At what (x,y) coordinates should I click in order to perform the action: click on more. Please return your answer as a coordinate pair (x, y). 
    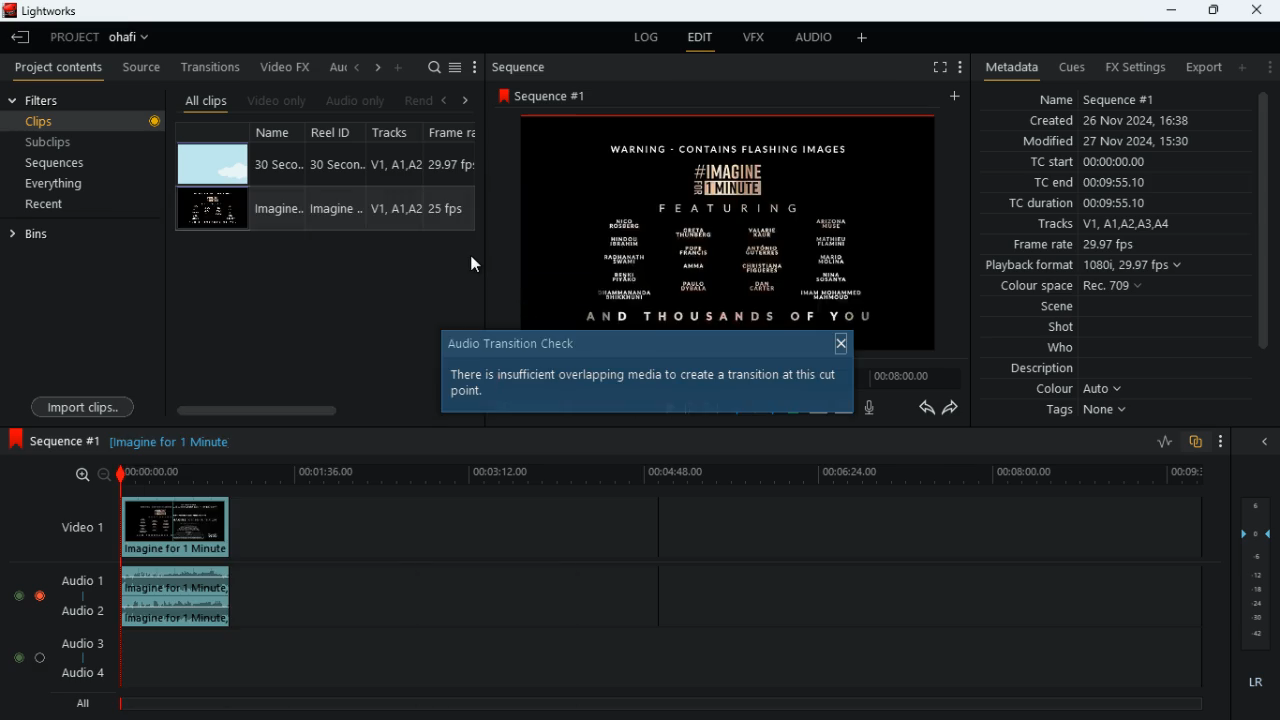
    Looking at the image, I should click on (1268, 66).